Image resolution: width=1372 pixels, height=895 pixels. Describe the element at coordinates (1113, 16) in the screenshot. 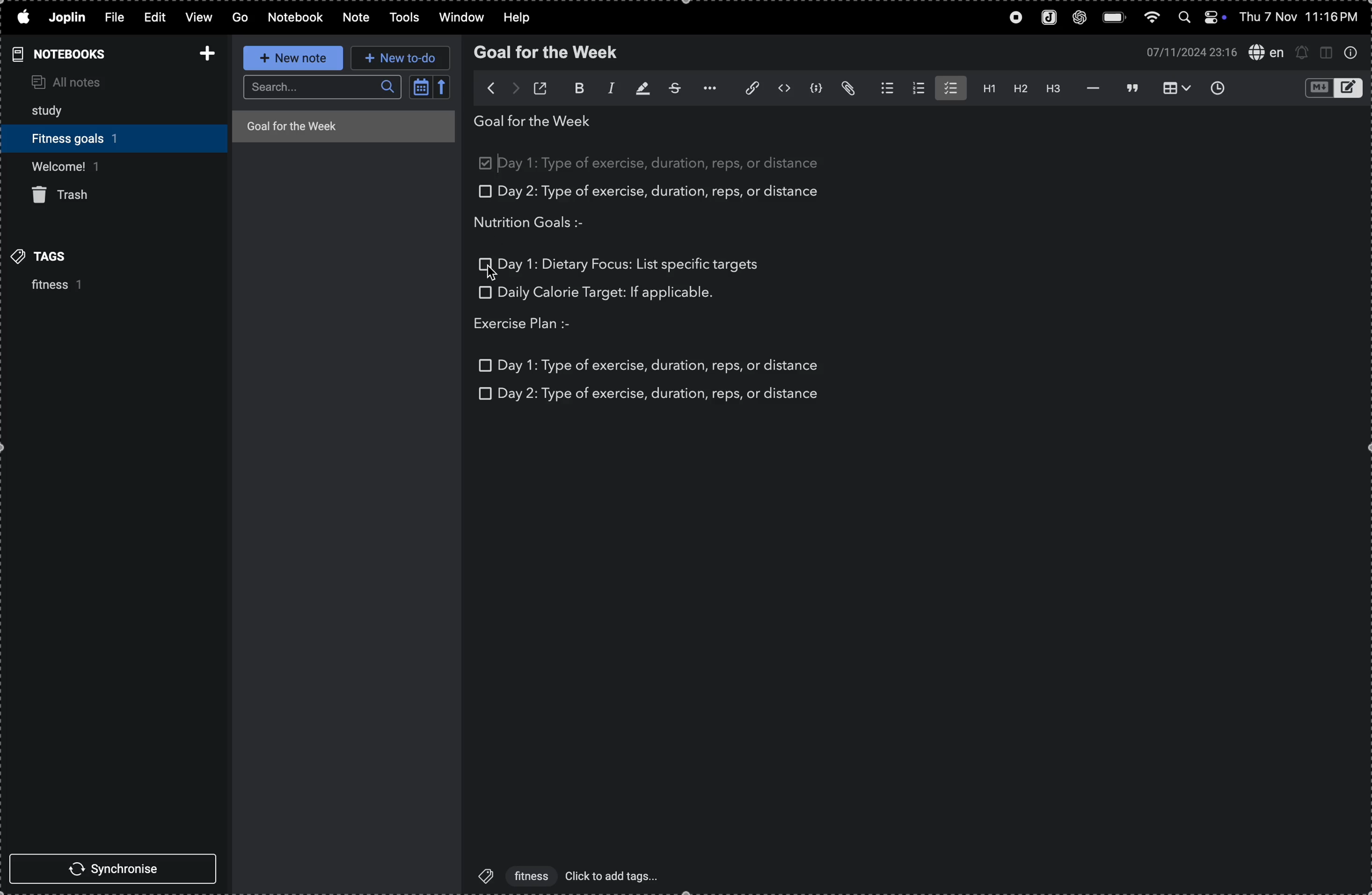

I see `battery` at that location.